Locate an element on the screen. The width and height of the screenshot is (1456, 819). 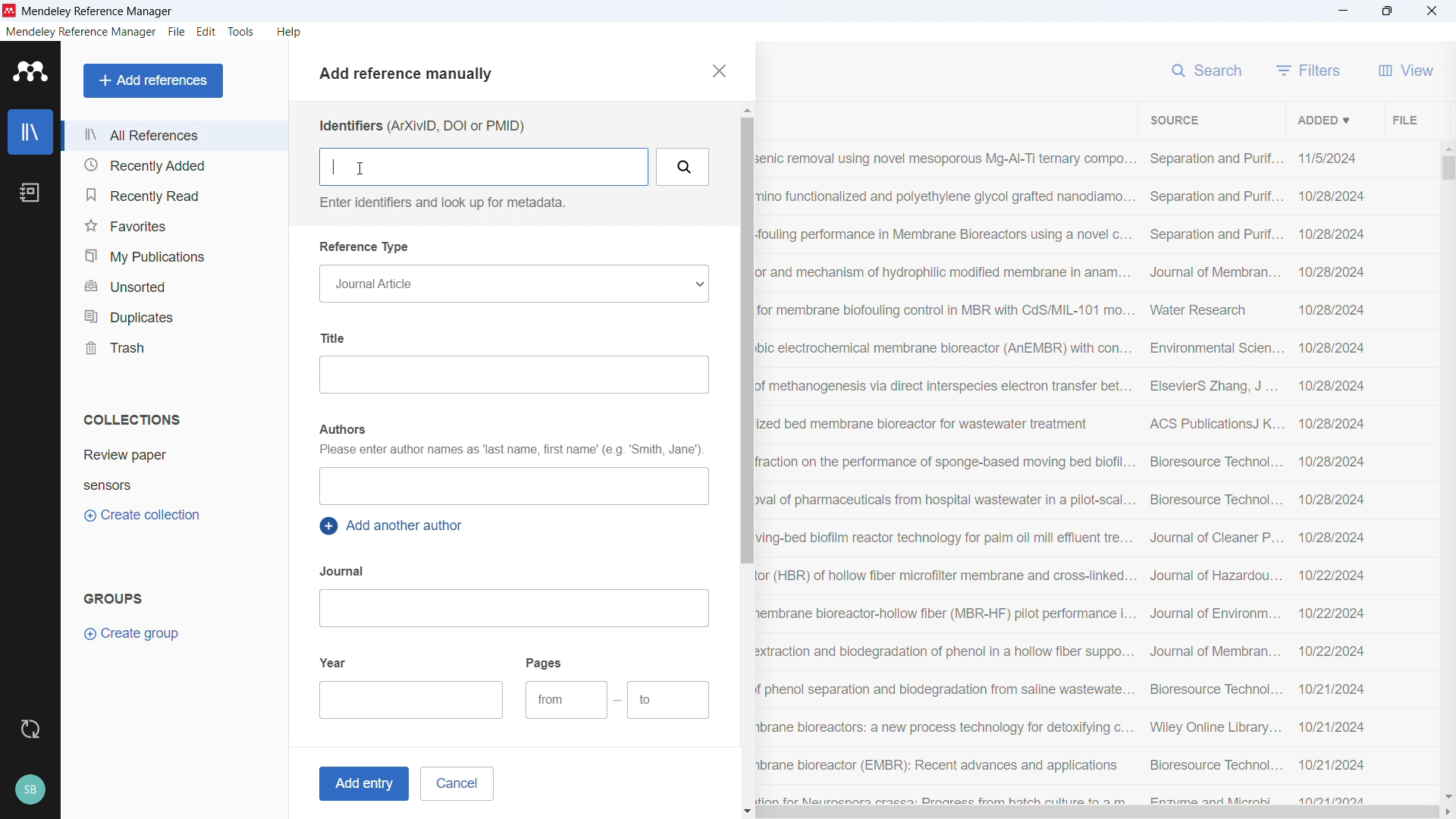
logo is located at coordinates (10, 11).